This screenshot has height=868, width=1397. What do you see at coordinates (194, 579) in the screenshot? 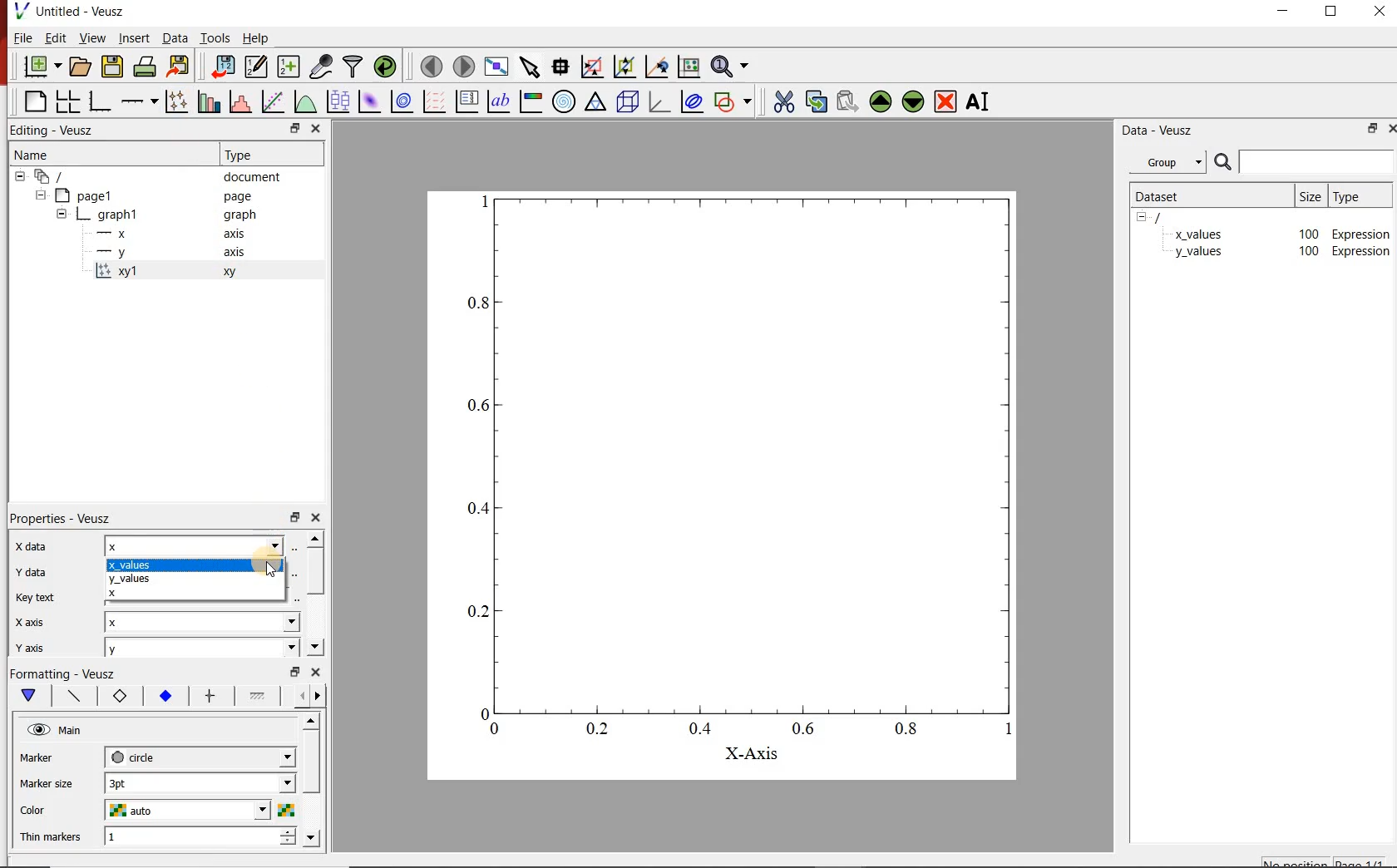
I see `y_values` at bounding box center [194, 579].